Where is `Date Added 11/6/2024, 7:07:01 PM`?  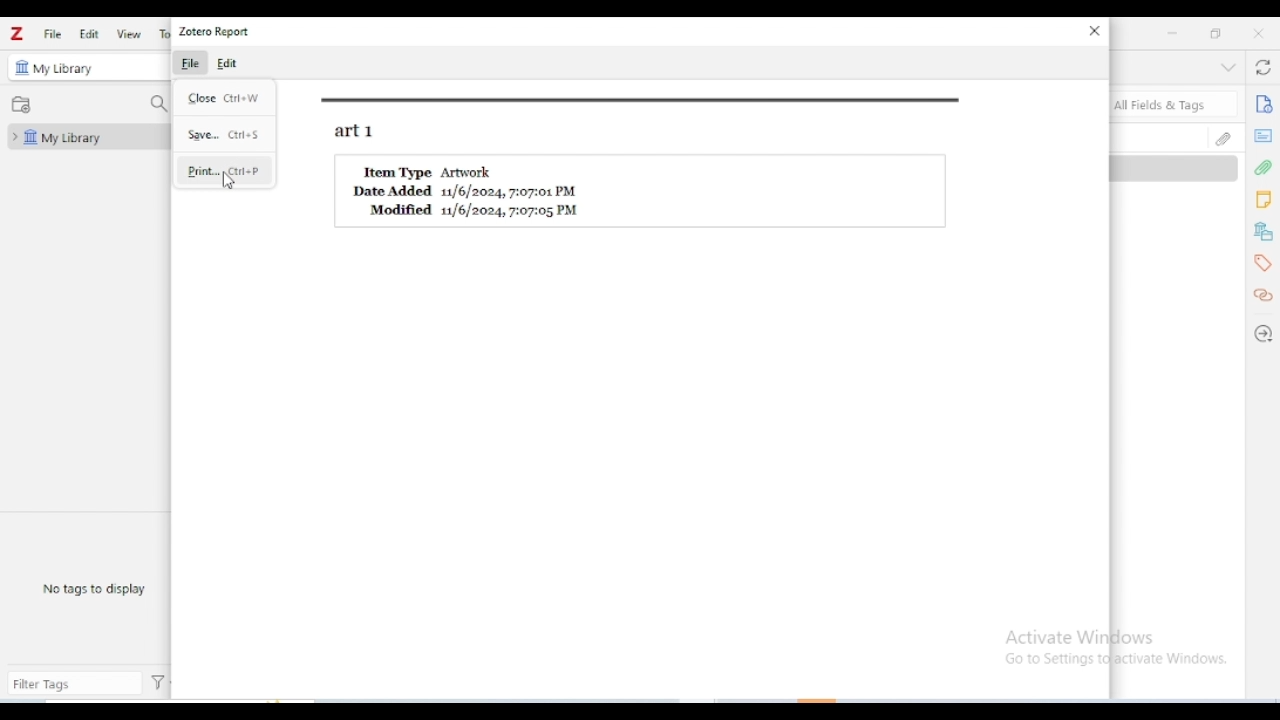
Date Added 11/6/2024, 7:07:01 PM is located at coordinates (467, 192).